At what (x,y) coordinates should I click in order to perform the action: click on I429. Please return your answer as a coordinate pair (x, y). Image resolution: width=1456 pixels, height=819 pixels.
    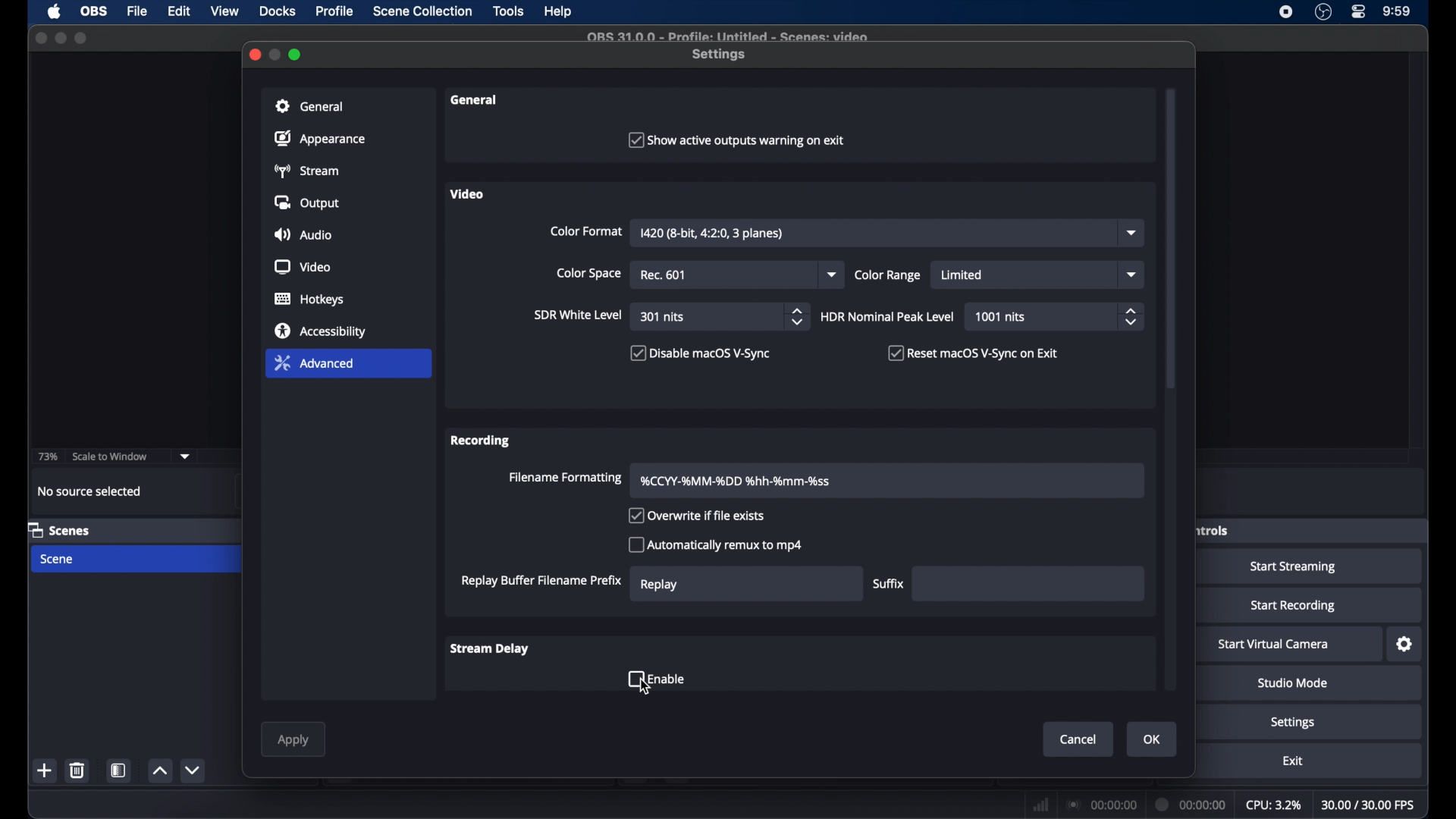
    Looking at the image, I should click on (713, 234).